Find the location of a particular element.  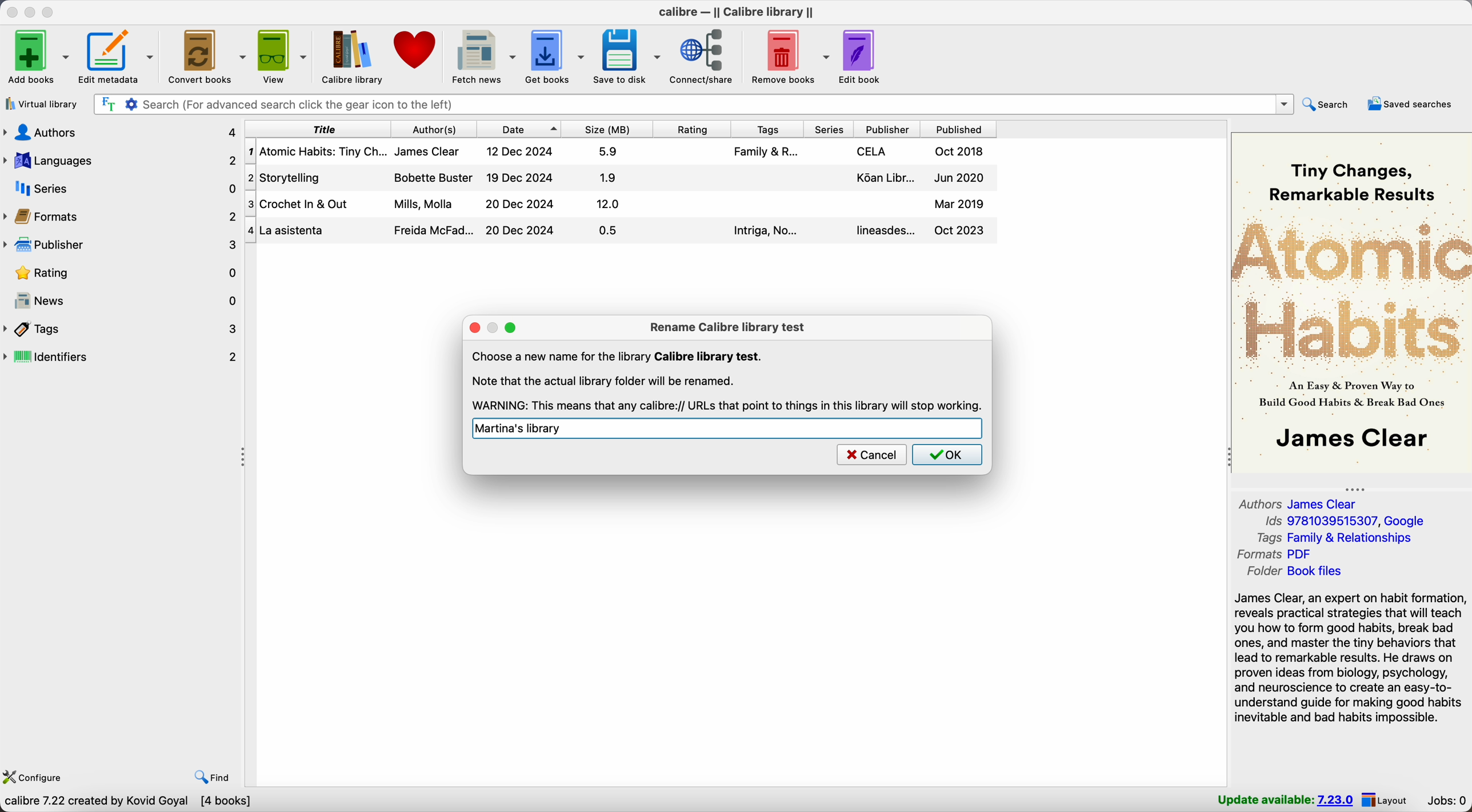

rating is located at coordinates (692, 128).